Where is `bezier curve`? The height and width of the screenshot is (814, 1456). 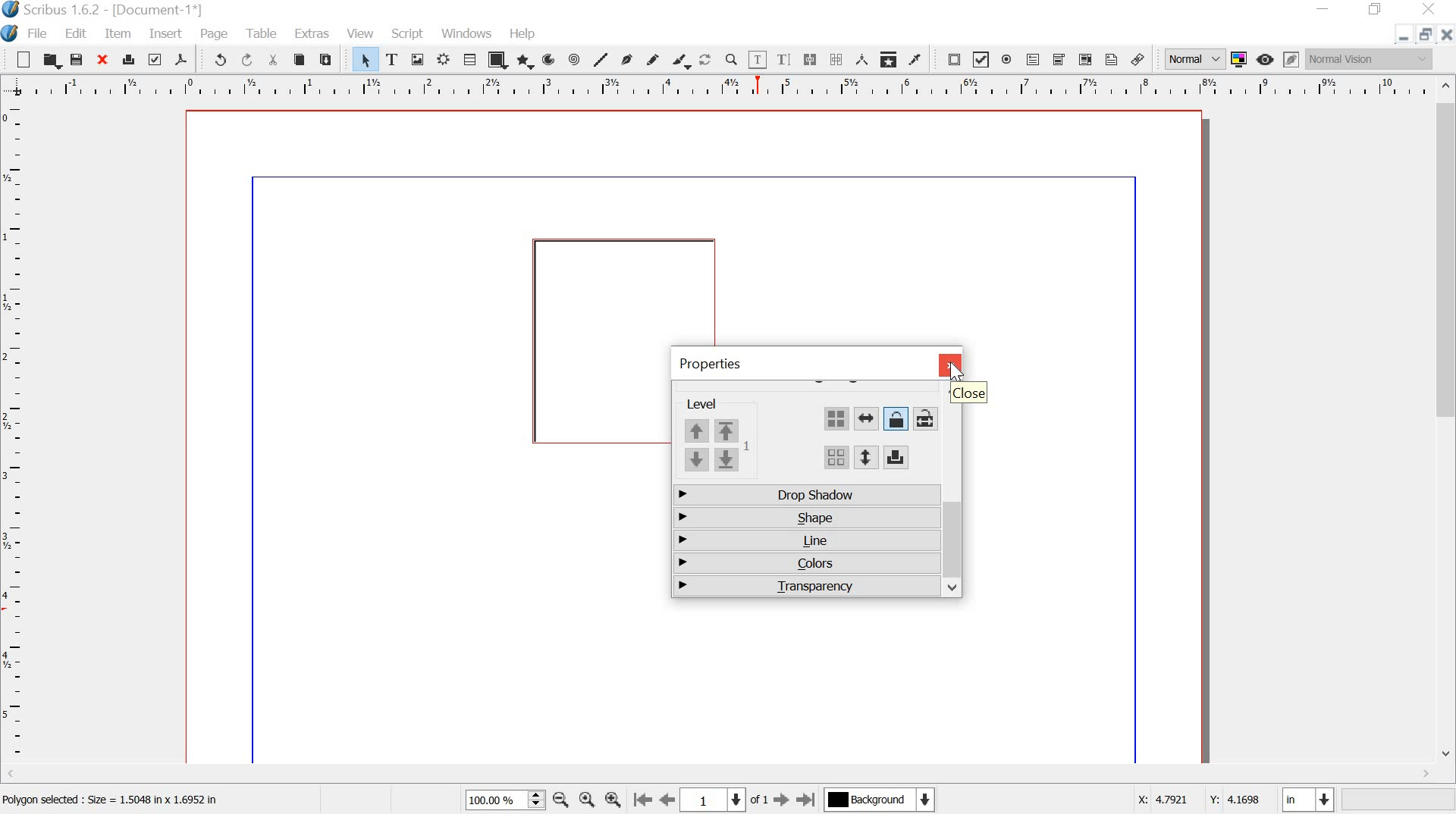
bezier curve is located at coordinates (630, 59).